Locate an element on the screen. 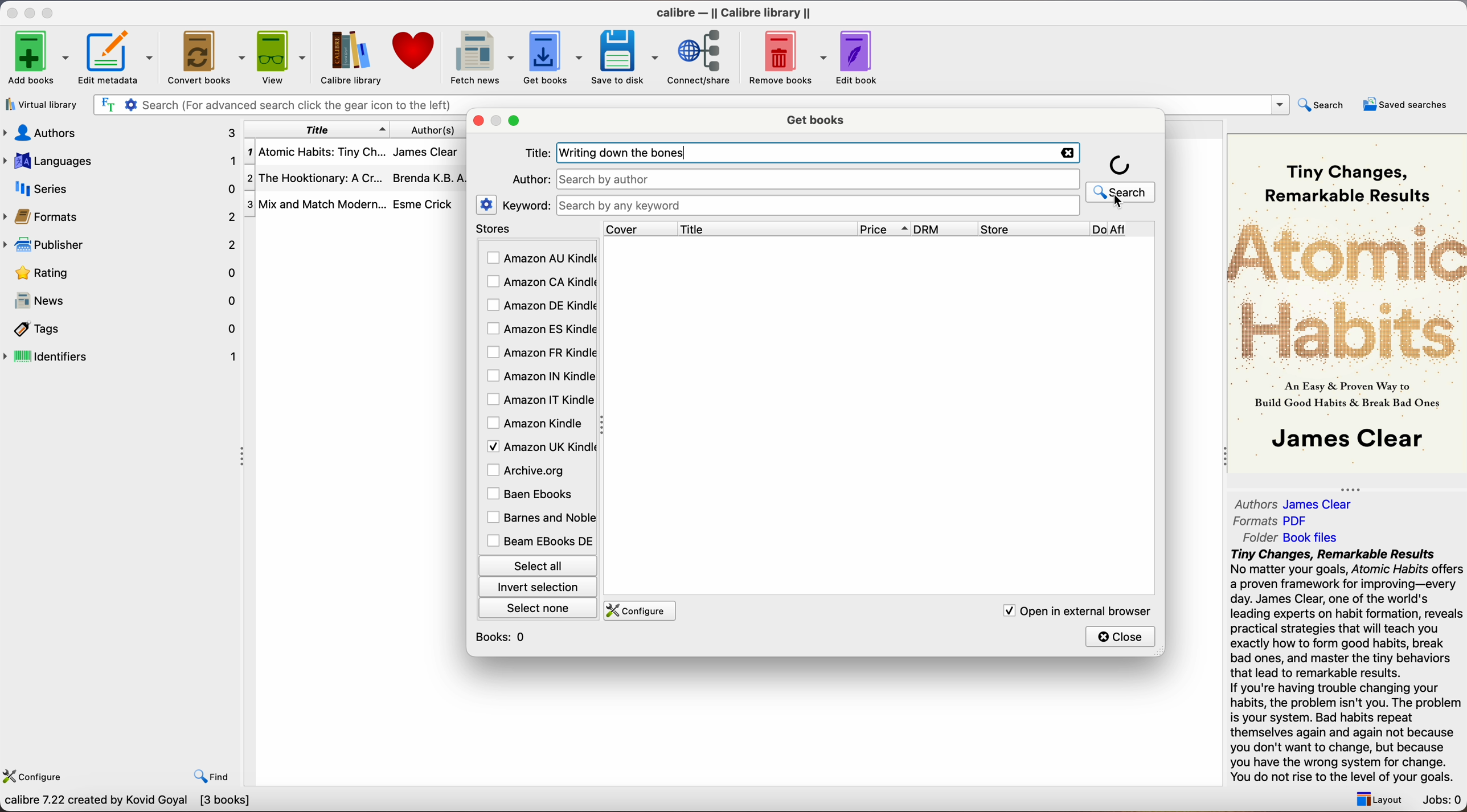 The width and height of the screenshot is (1467, 812). Amazon IN Kindle is located at coordinates (539, 375).